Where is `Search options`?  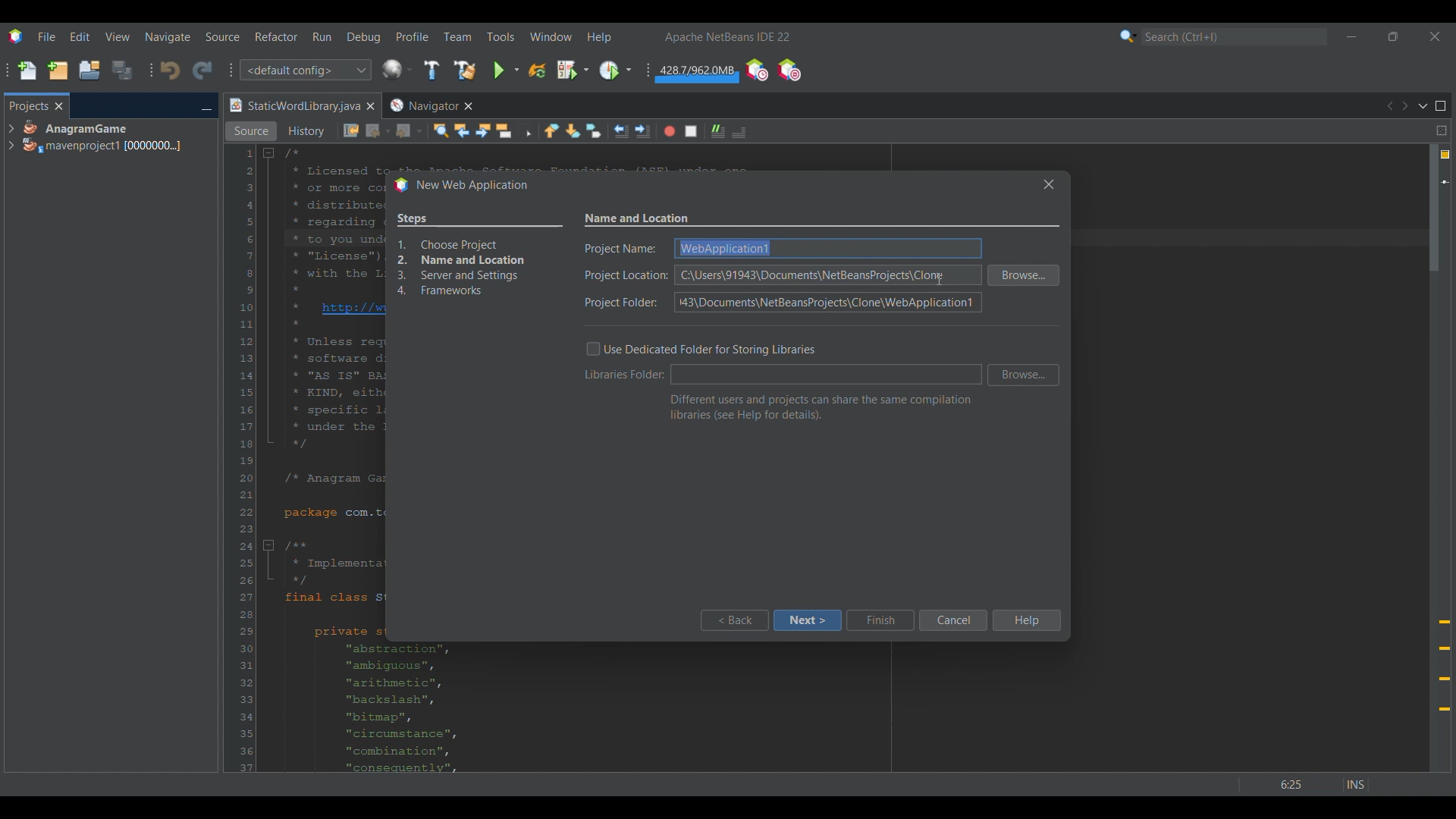
Search options is located at coordinates (1128, 36).